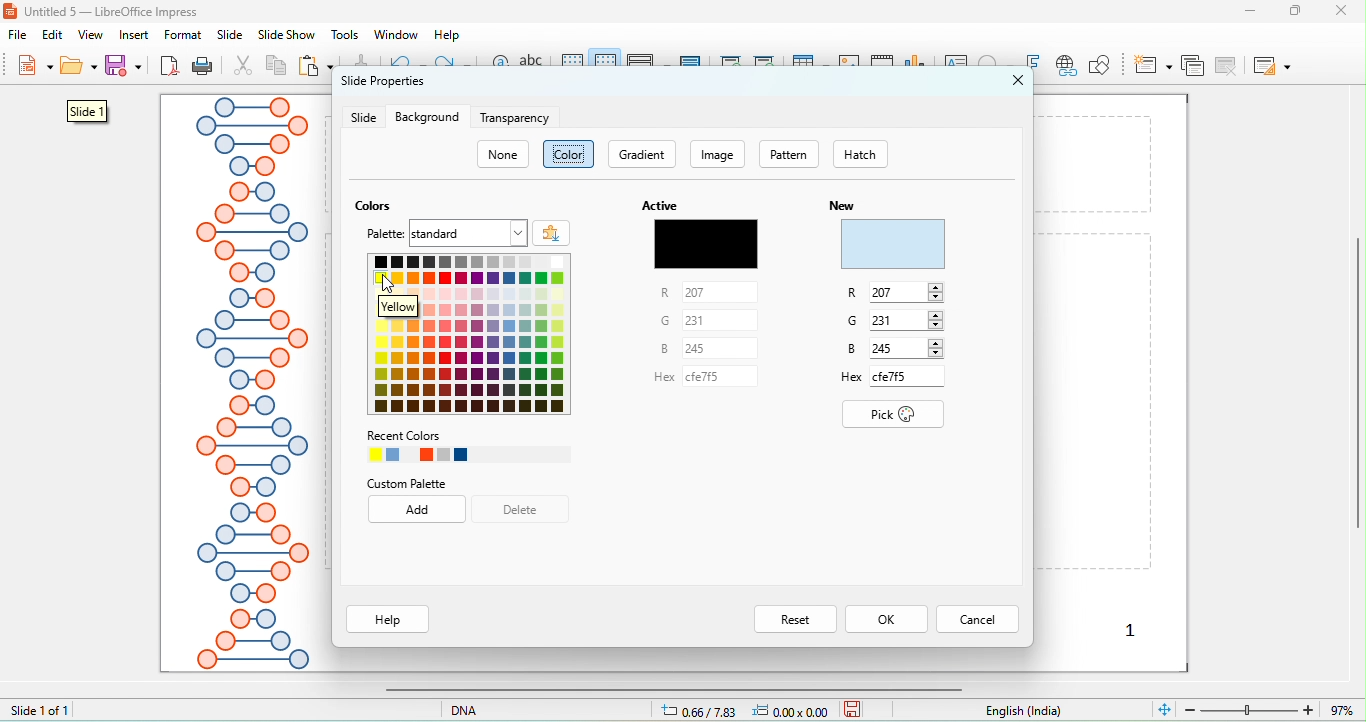 Image resolution: width=1366 pixels, height=722 pixels. Describe the element at coordinates (899, 350) in the screenshot. I see `B` at that location.